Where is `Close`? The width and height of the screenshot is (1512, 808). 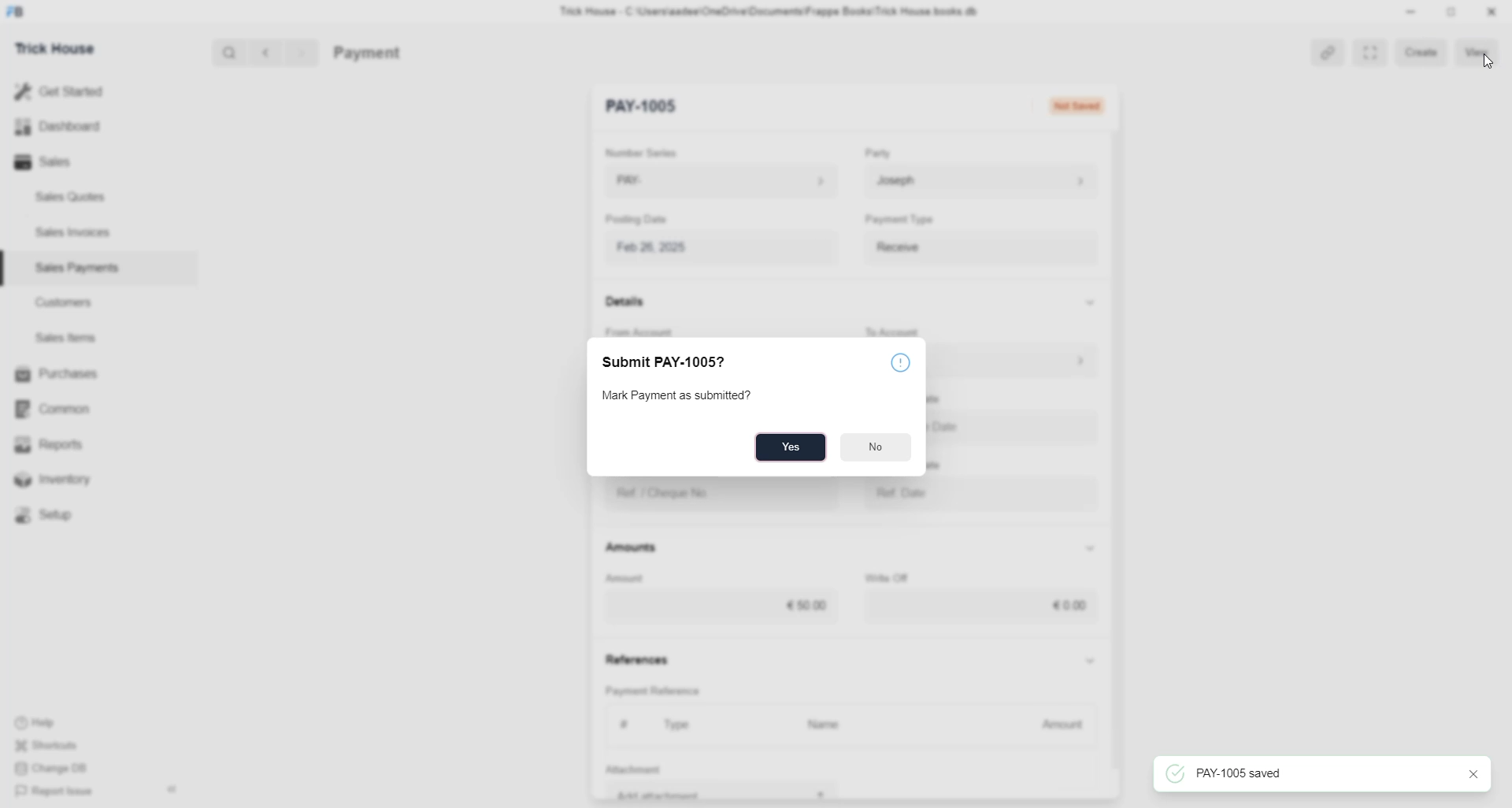
Close is located at coordinates (1491, 13).